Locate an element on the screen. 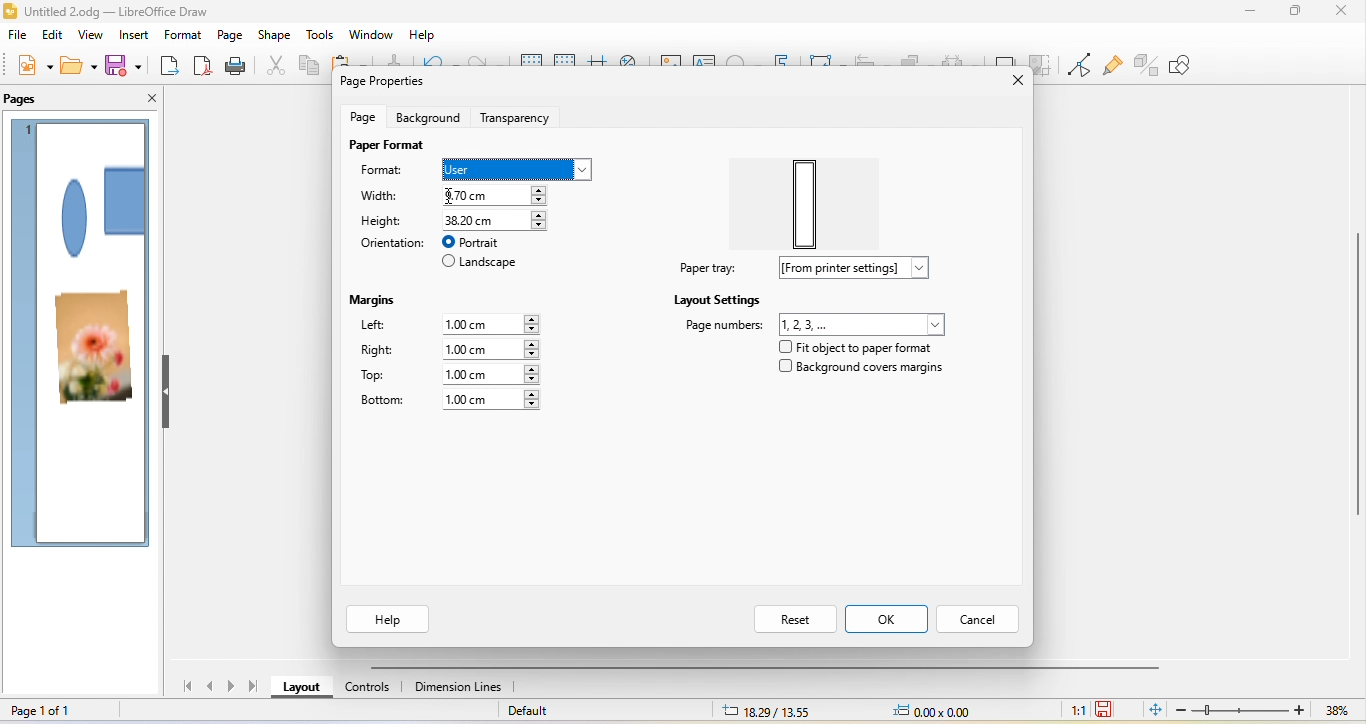 The height and width of the screenshot is (724, 1366). maximize is located at coordinates (1294, 16).